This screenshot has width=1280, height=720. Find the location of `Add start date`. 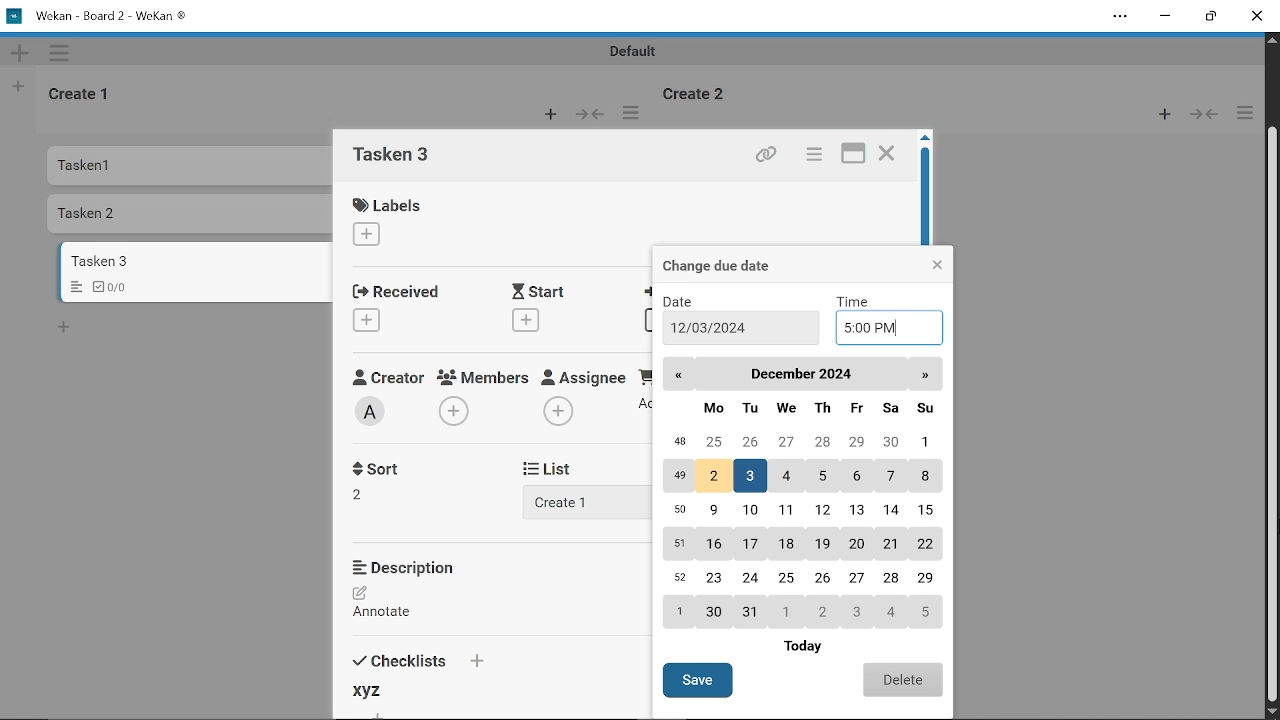

Add start date is located at coordinates (524, 319).